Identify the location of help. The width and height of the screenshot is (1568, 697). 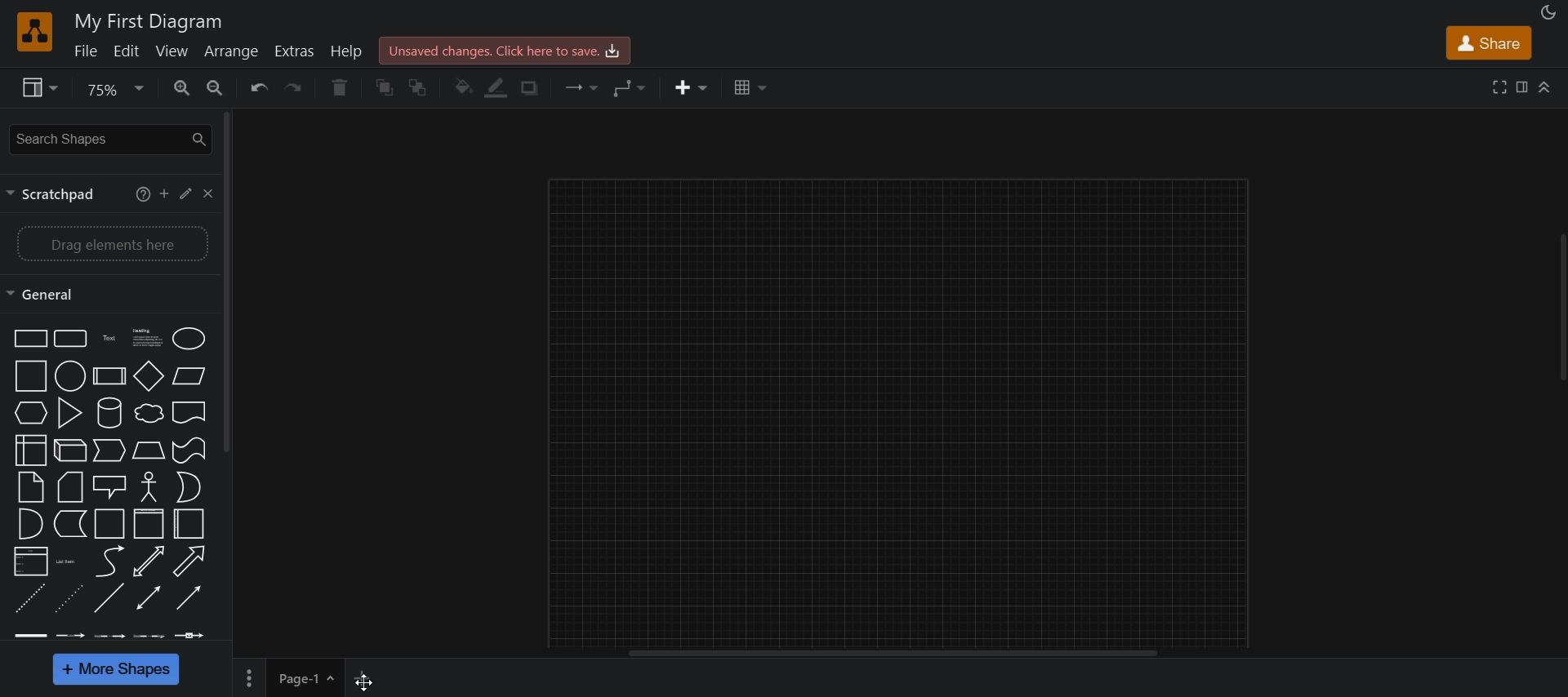
(352, 53).